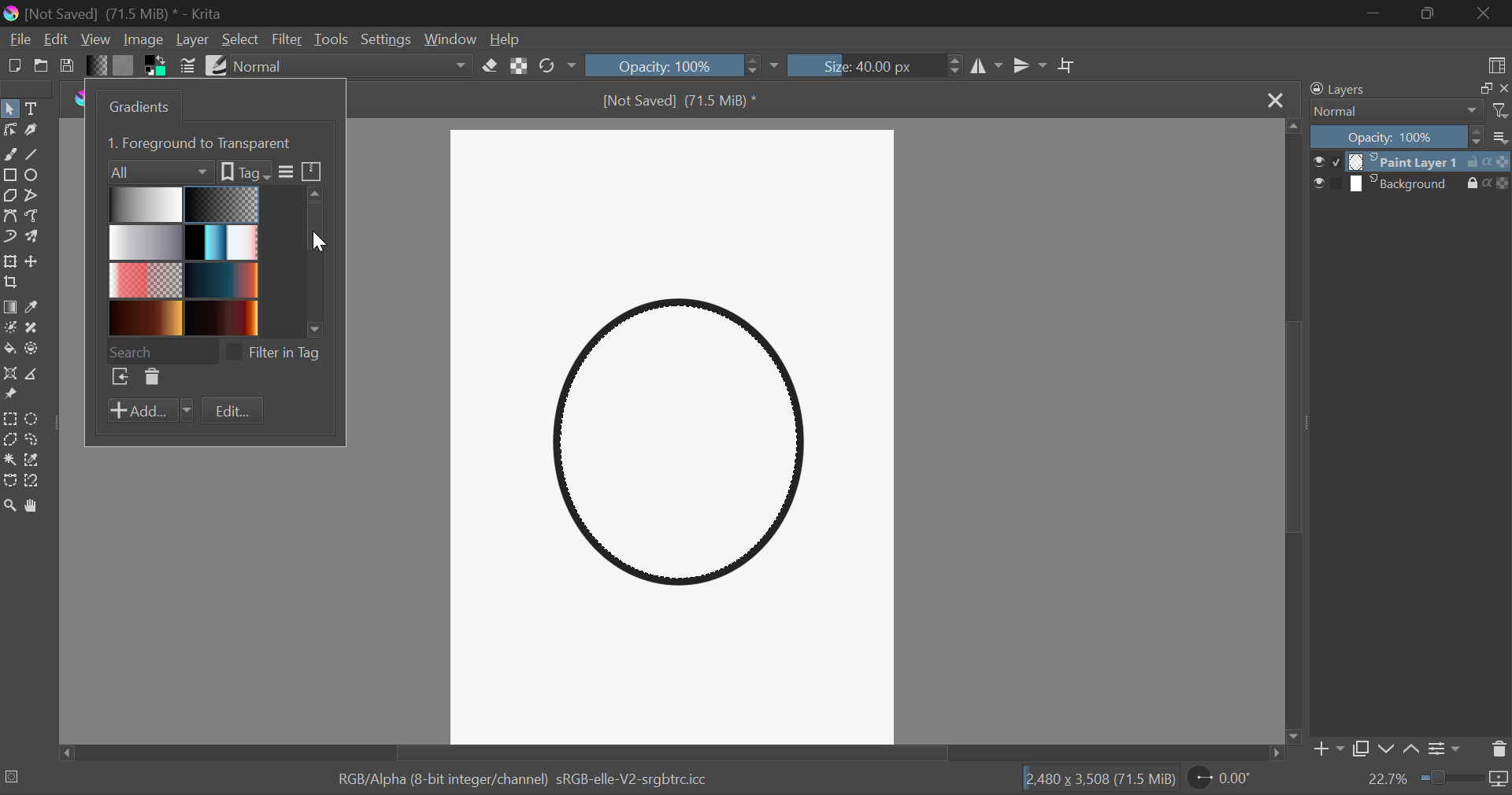  What do you see at coordinates (34, 155) in the screenshot?
I see `Line` at bounding box center [34, 155].